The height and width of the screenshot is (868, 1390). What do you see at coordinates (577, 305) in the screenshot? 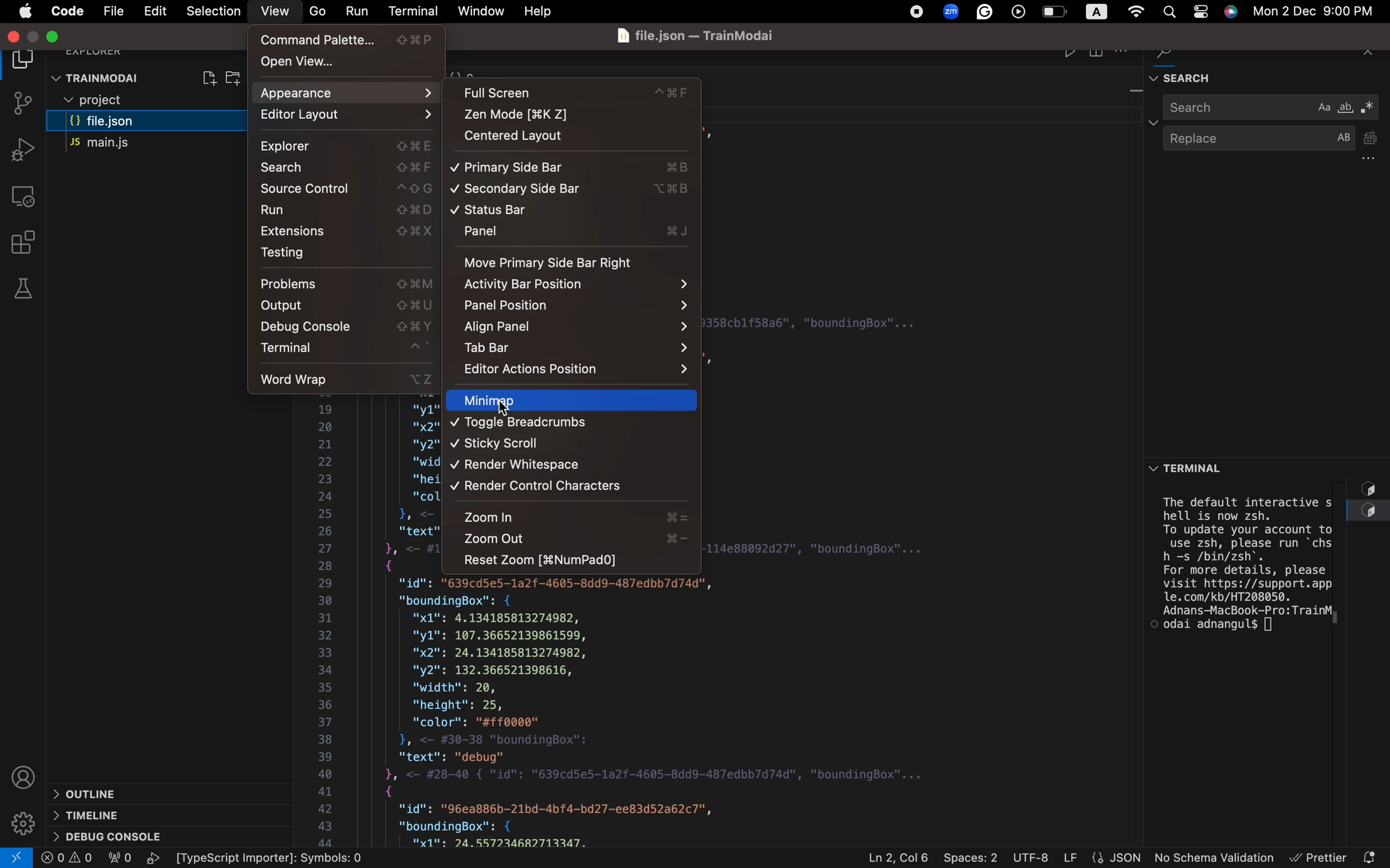
I see `panel position ` at bounding box center [577, 305].